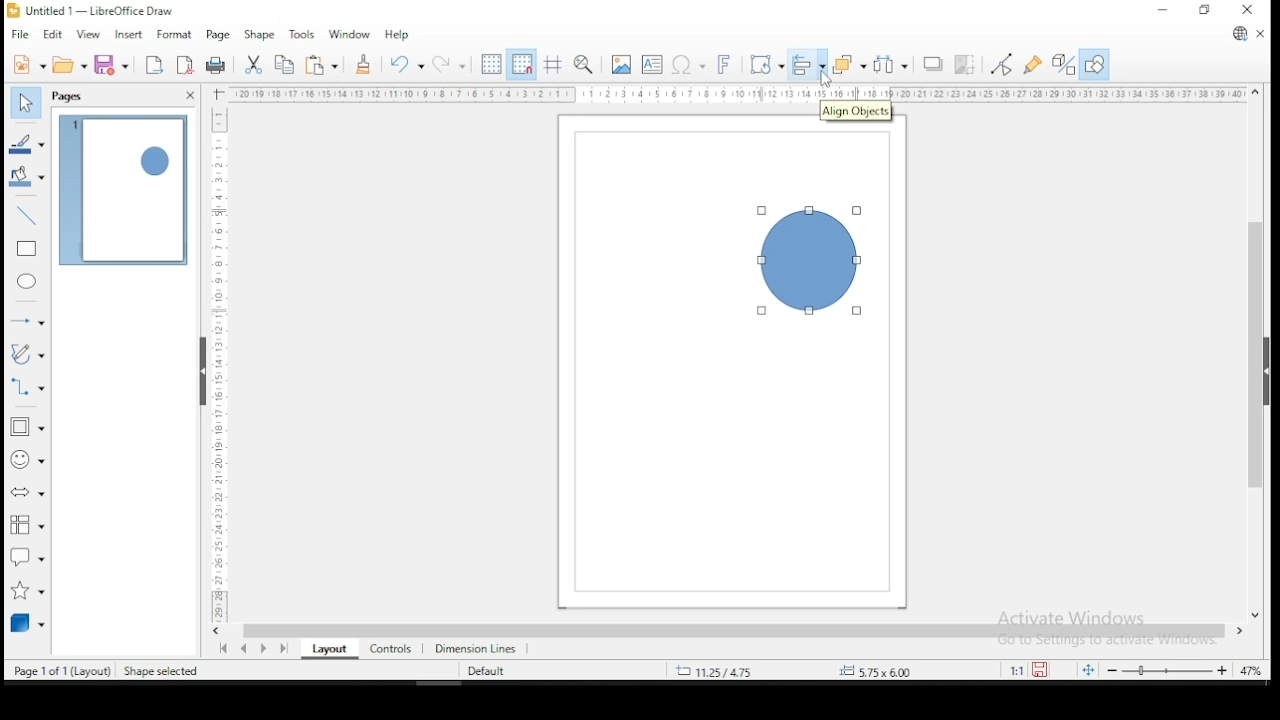 The width and height of the screenshot is (1280, 720). What do you see at coordinates (70, 97) in the screenshot?
I see `pages` at bounding box center [70, 97].